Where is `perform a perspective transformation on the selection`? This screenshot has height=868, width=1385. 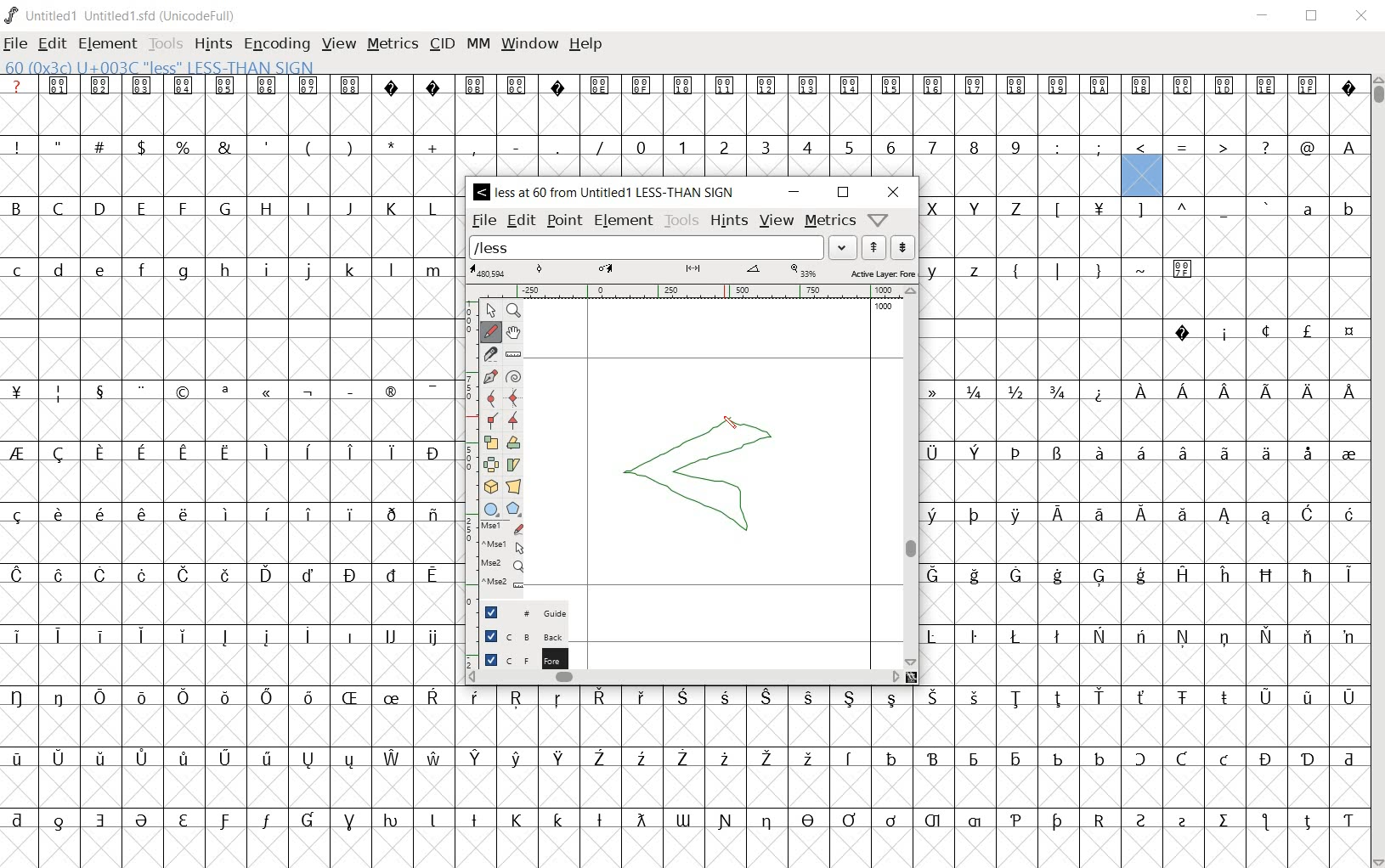 perform a perspective transformation on the selection is located at coordinates (514, 487).